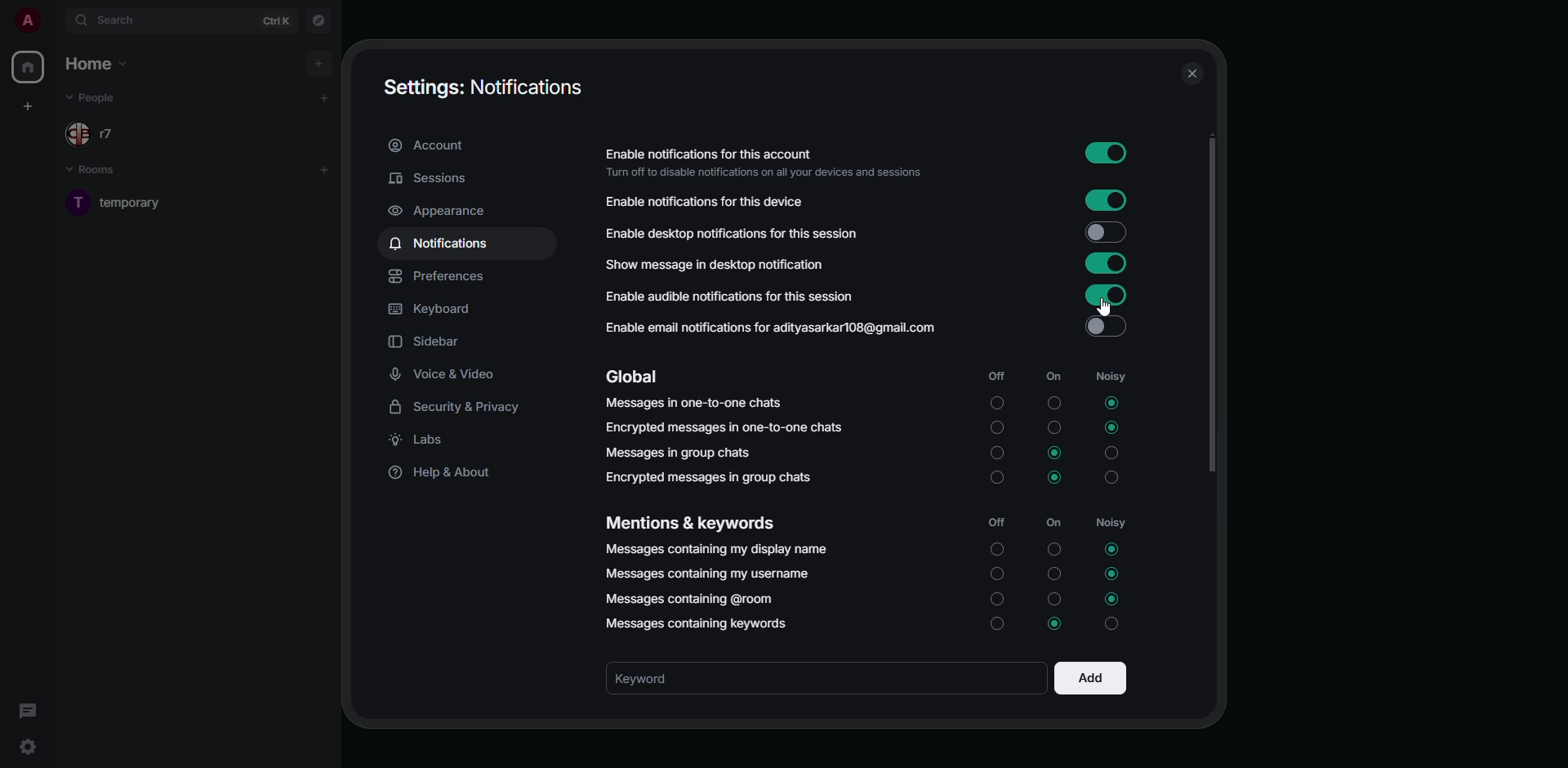 The height and width of the screenshot is (768, 1568). I want to click on quick settings, so click(27, 743).